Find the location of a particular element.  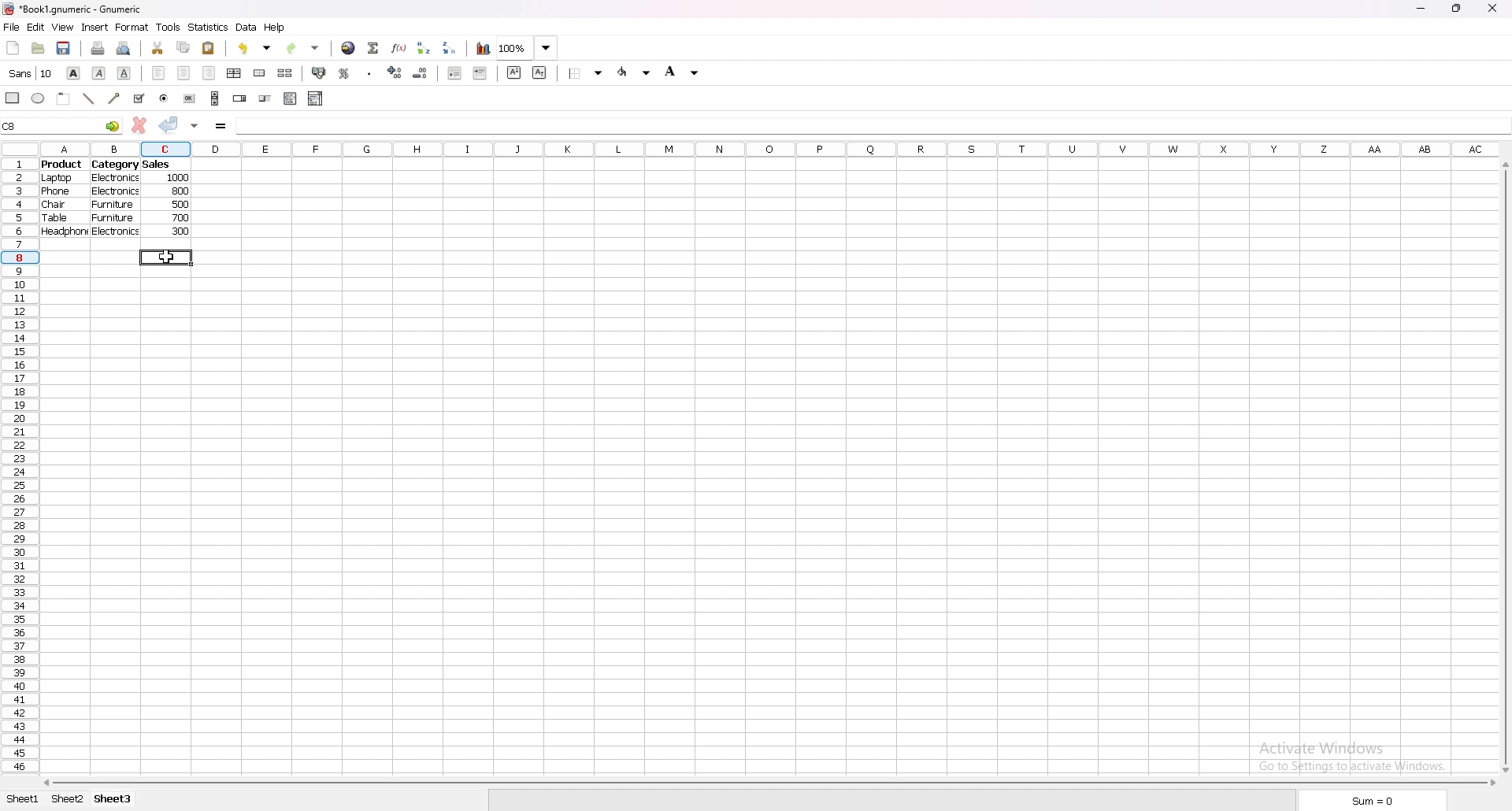

sheet 2 is located at coordinates (67, 800).